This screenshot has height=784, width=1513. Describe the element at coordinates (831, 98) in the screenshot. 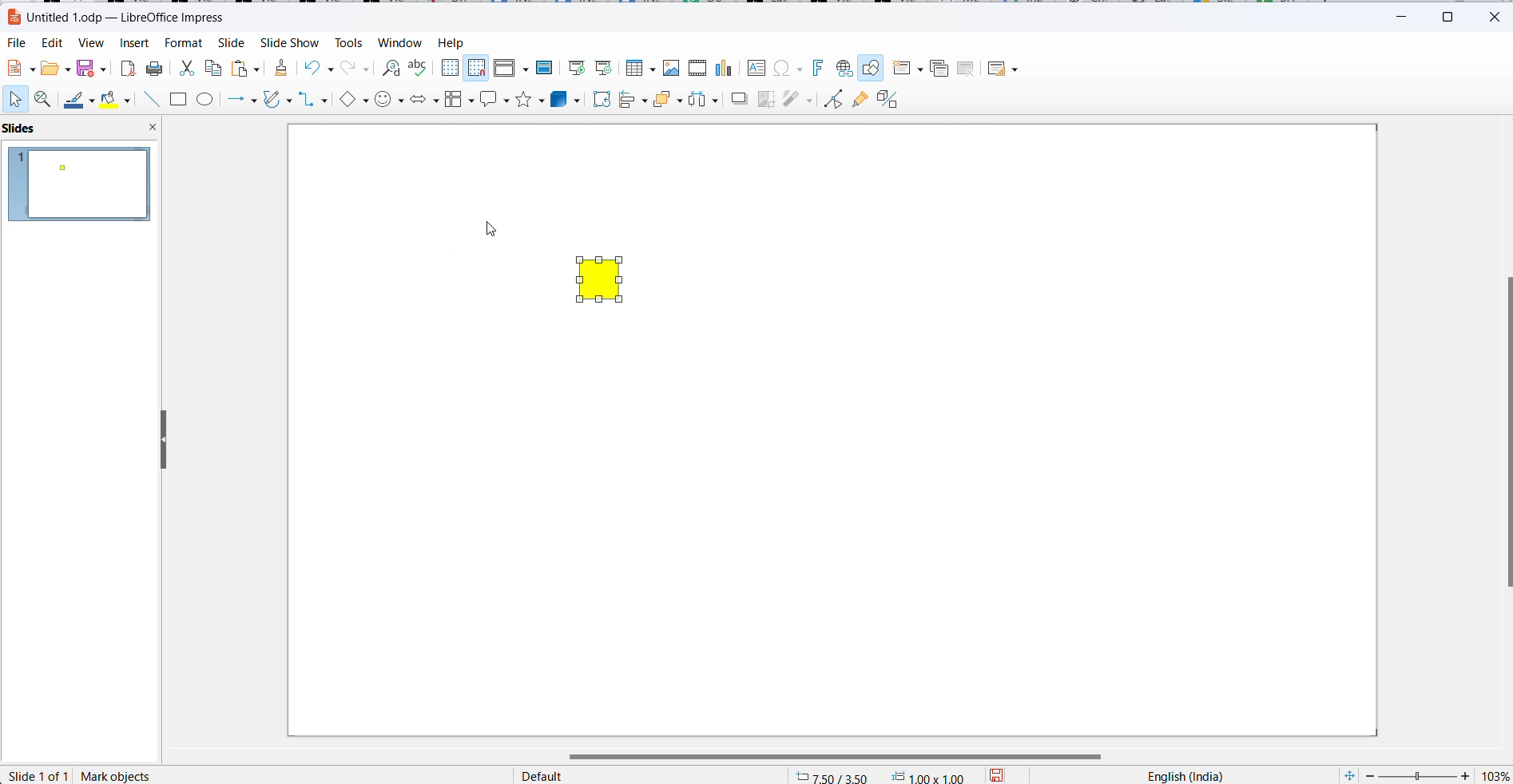

I see `toggle endpoint edit mode` at that location.